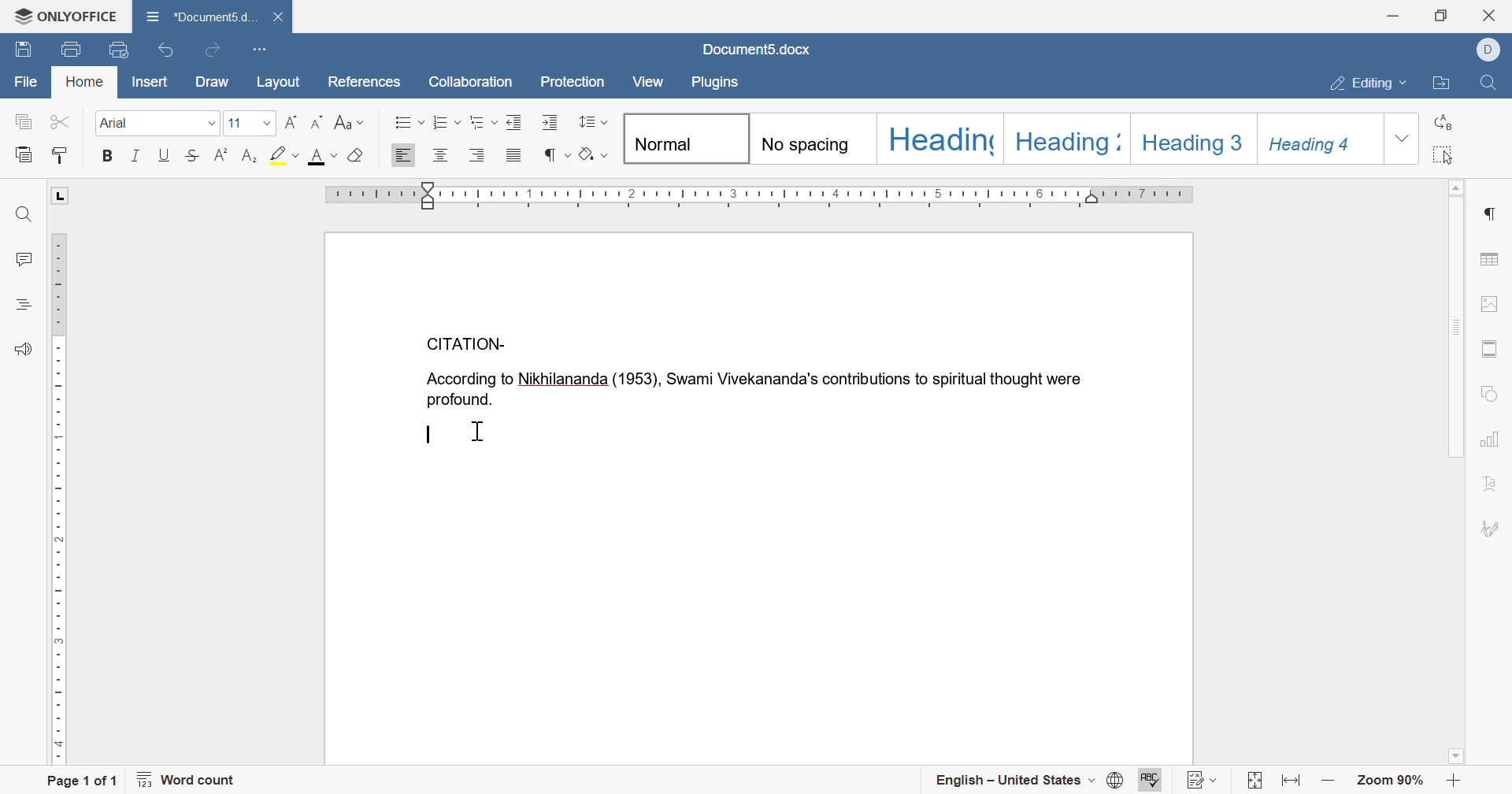  I want to click on document, so click(202, 15).